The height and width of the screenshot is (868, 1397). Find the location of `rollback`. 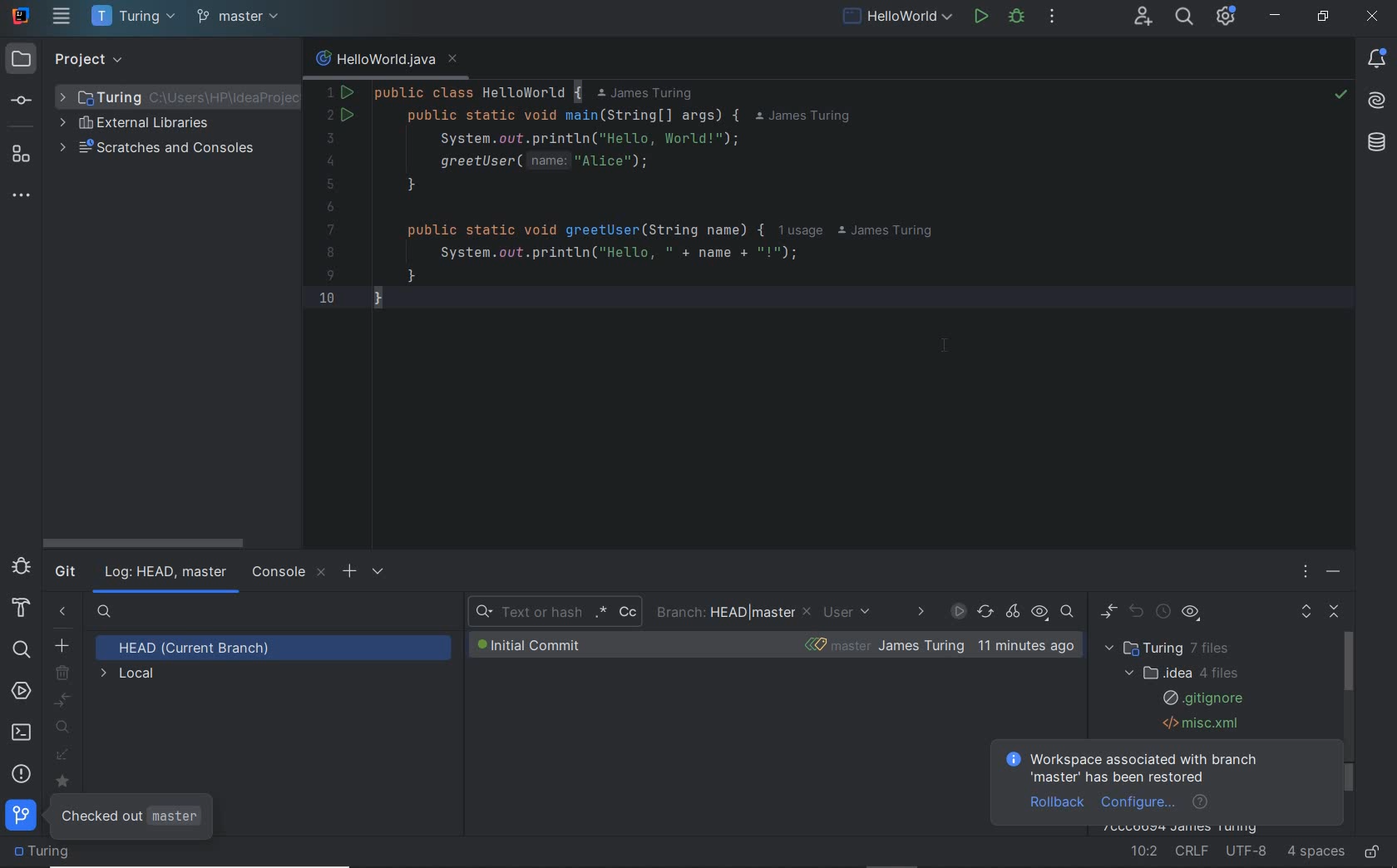

rollback is located at coordinates (1059, 802).